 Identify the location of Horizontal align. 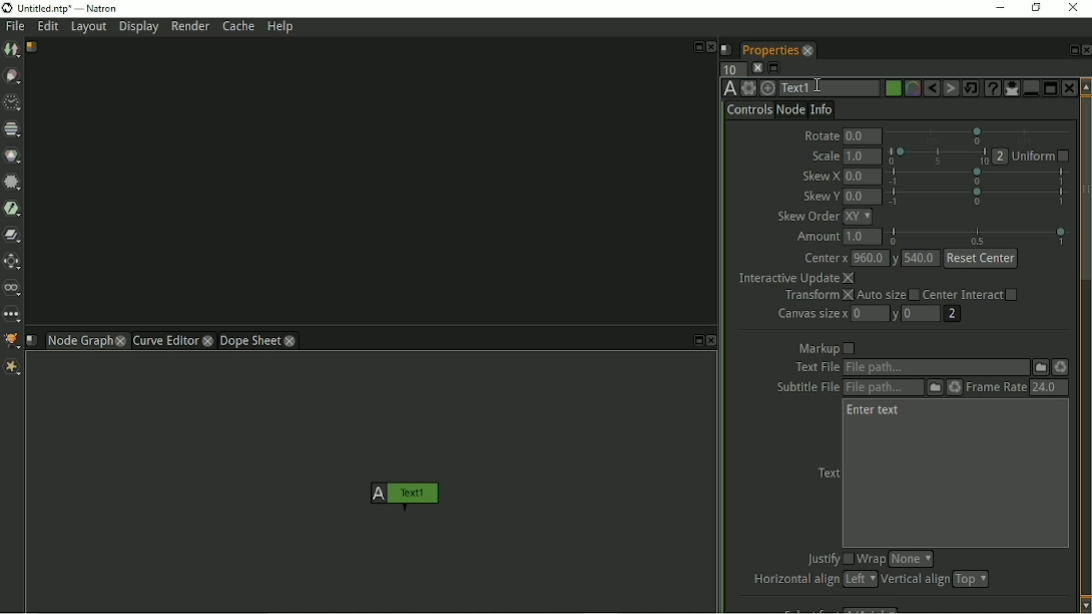
(793, 580).